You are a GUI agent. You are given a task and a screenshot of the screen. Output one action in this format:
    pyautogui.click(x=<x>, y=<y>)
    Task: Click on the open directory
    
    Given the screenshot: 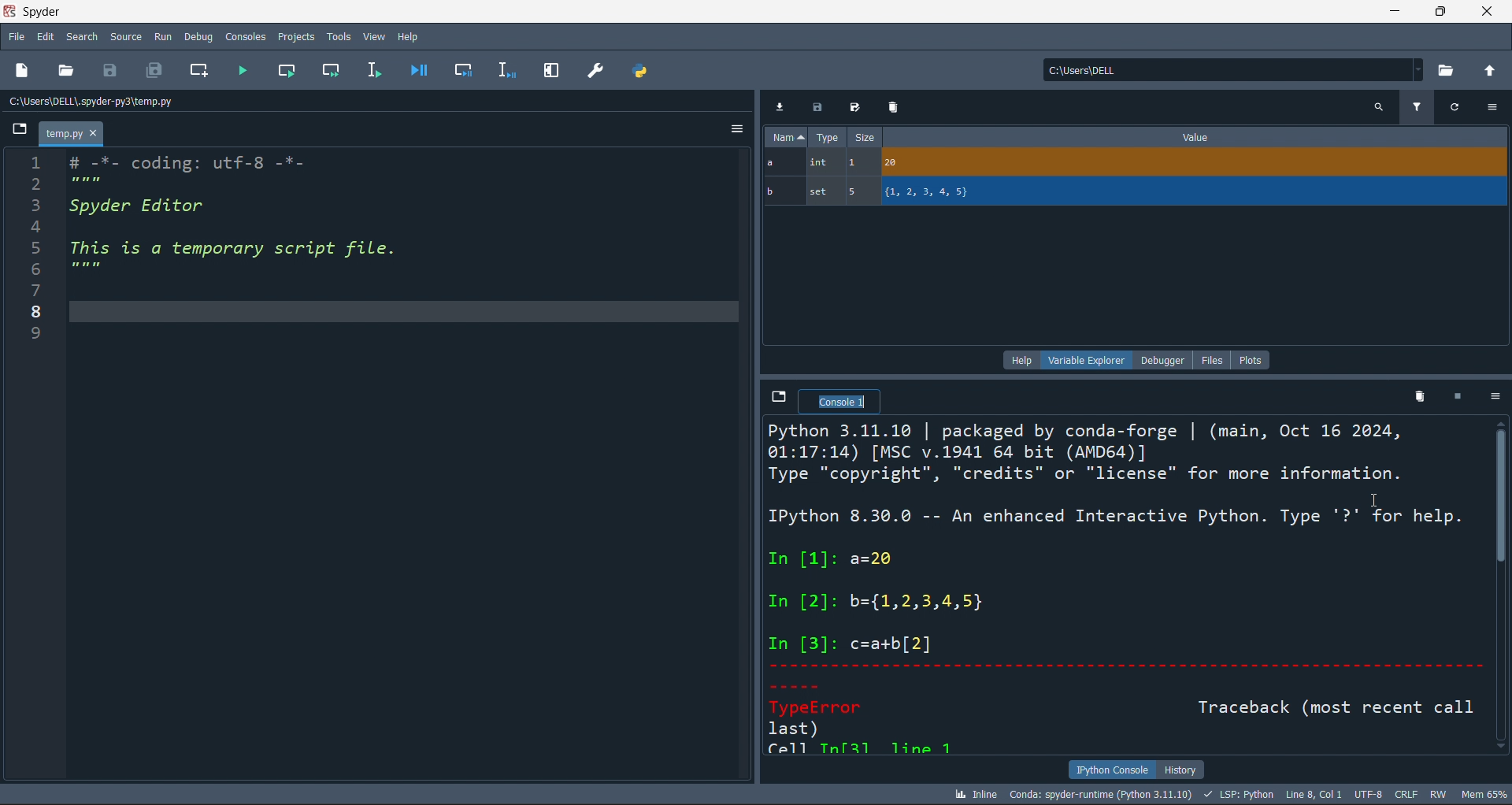 What is the action you would take?
    pyautogui.click(x=1448, y=69)
    